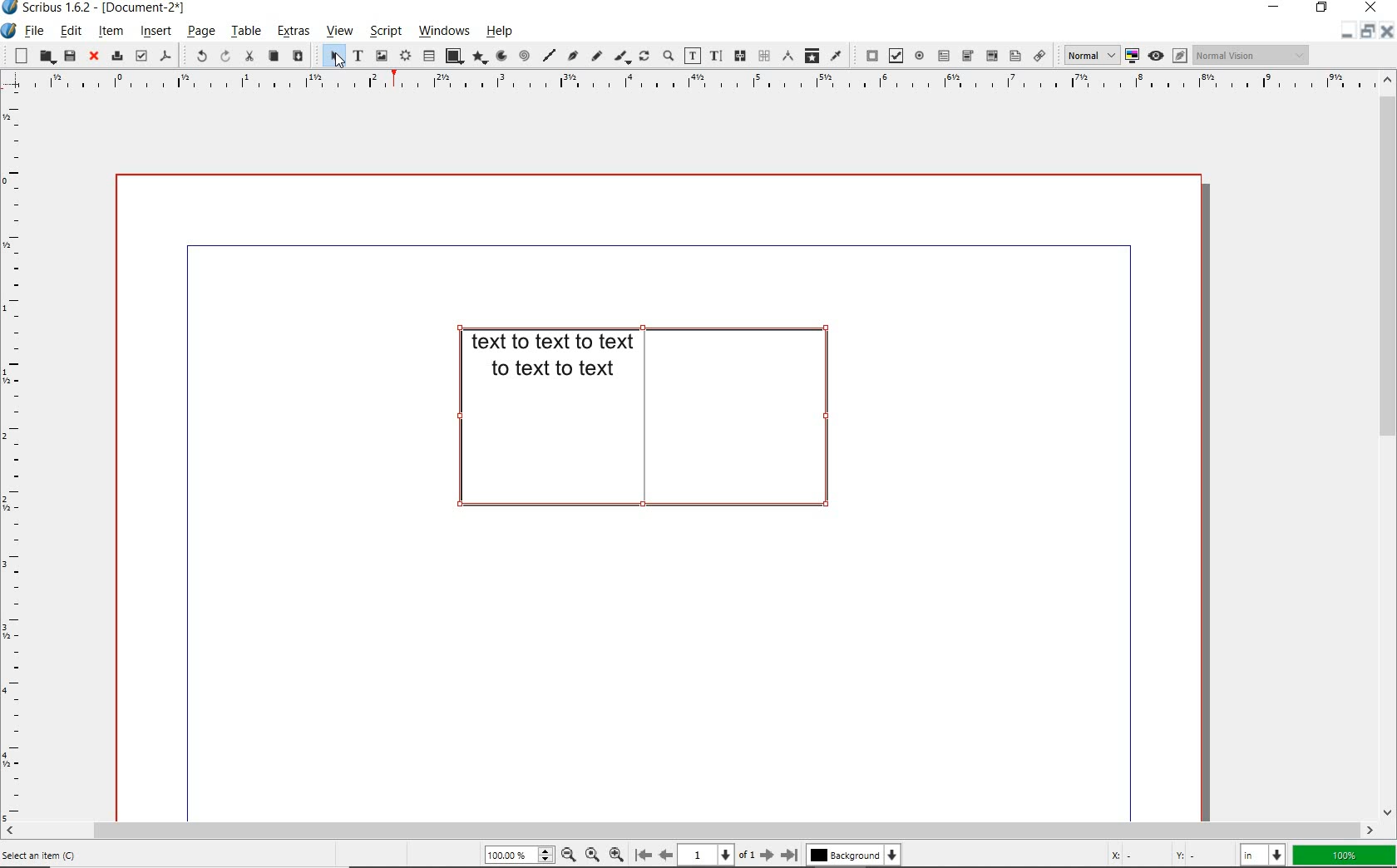  What do you see at coordinates (852, 855) in the screenshot?
I see `background ` at bounding box center [852, 855].